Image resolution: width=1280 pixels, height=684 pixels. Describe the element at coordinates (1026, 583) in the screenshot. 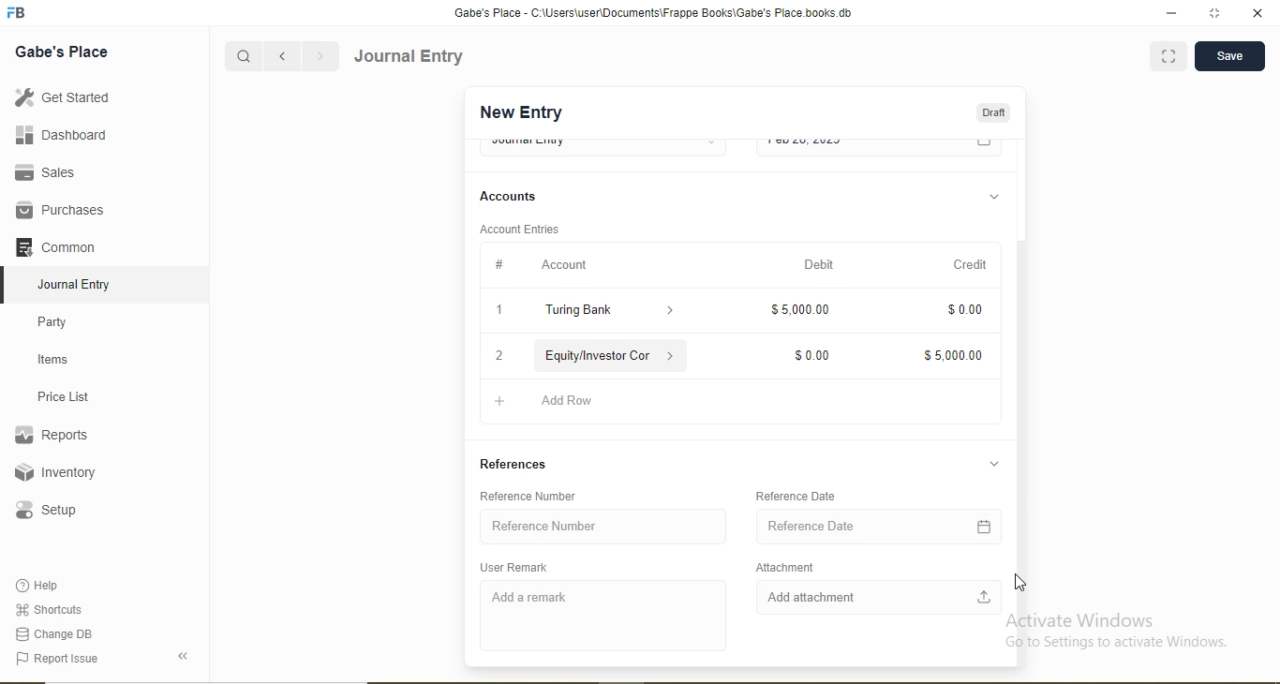

I see `cursor` at that location.